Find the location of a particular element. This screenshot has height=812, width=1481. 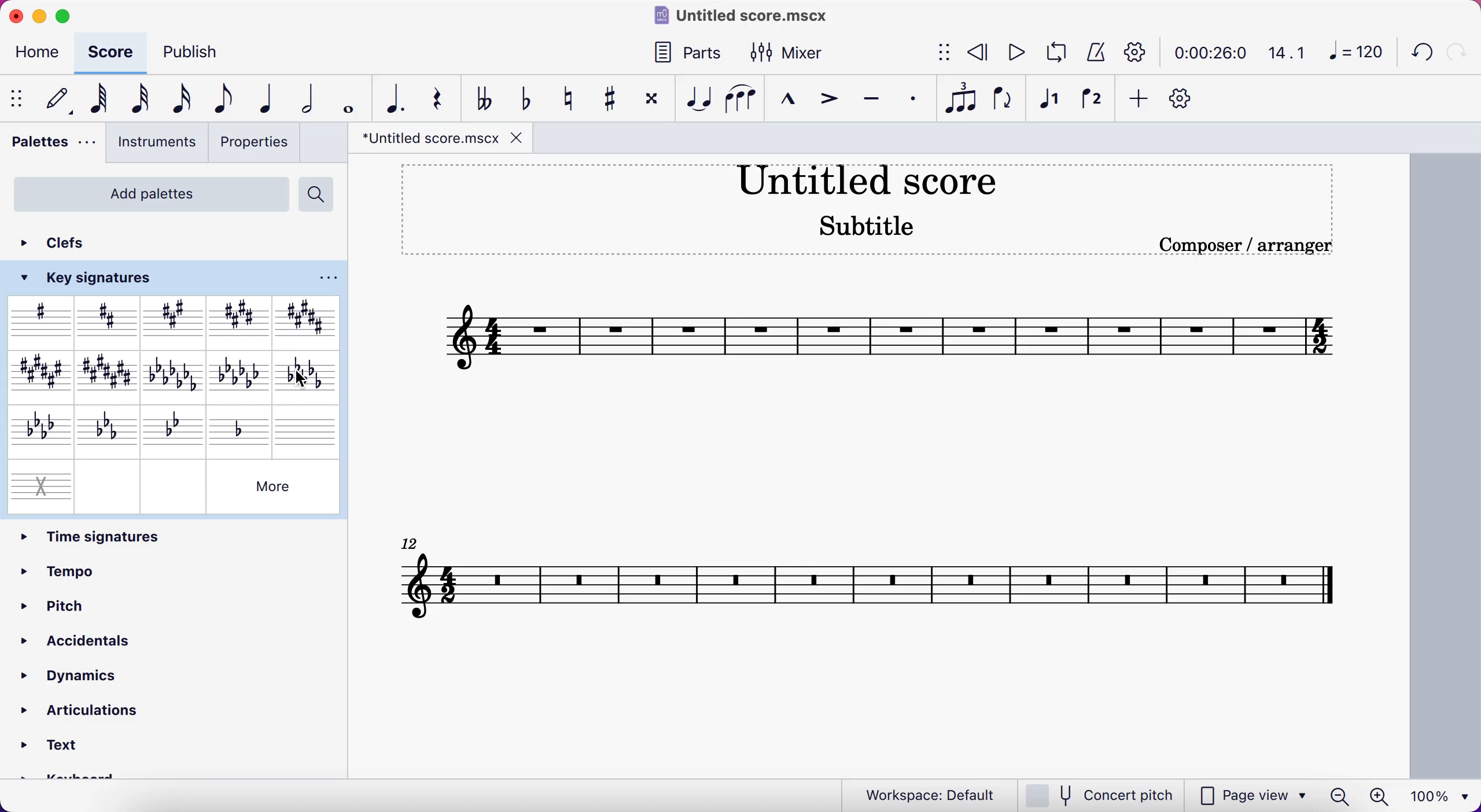

tempo is located at coordinates (108, 570).